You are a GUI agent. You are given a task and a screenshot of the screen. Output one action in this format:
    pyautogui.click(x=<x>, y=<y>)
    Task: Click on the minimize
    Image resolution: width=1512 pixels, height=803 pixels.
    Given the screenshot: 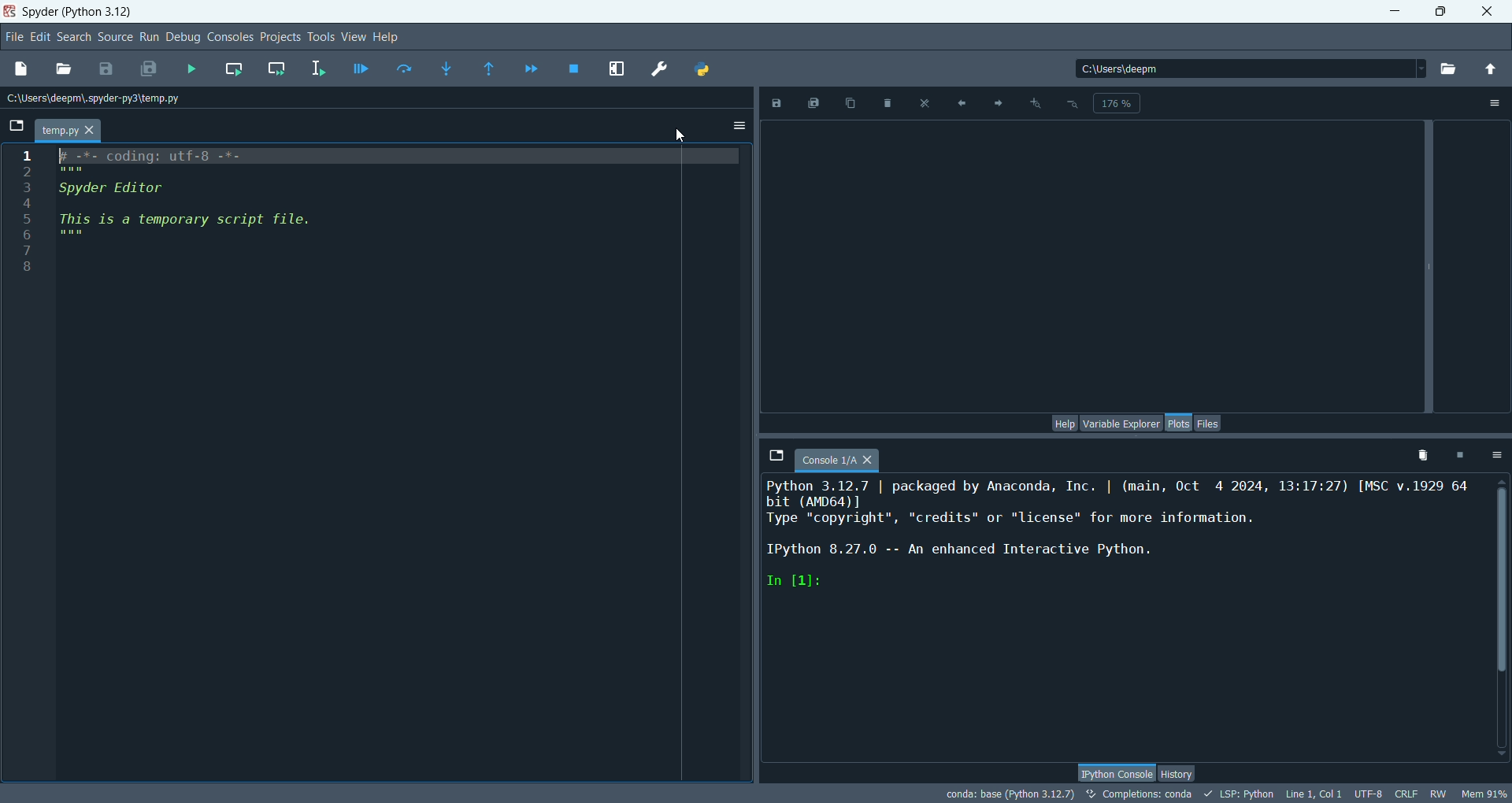 What is the action you would take?
    pyautogui.click(x=1393, y=13)
    